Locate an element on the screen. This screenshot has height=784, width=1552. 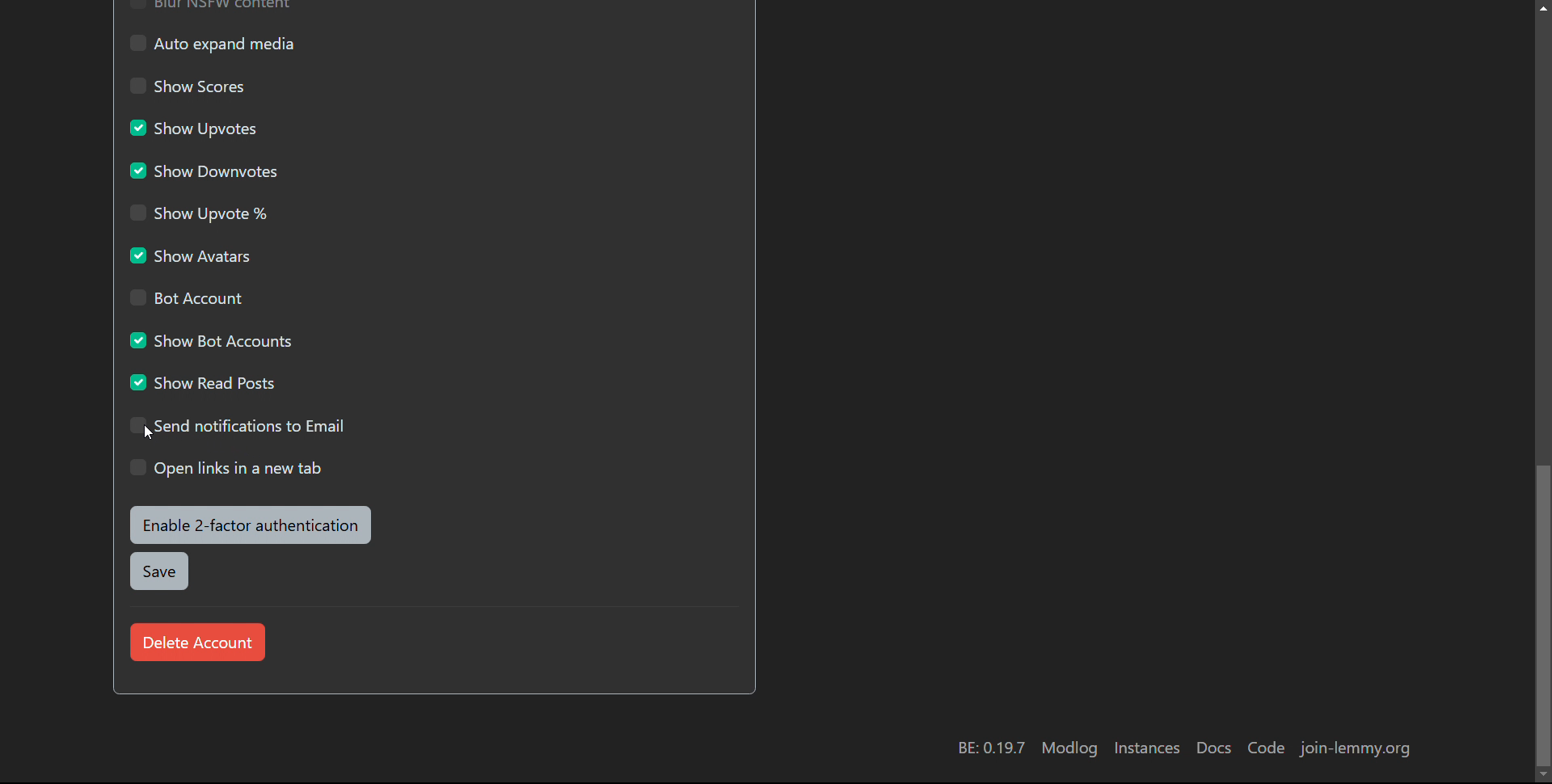
code is located at coordinates (1266, 748).